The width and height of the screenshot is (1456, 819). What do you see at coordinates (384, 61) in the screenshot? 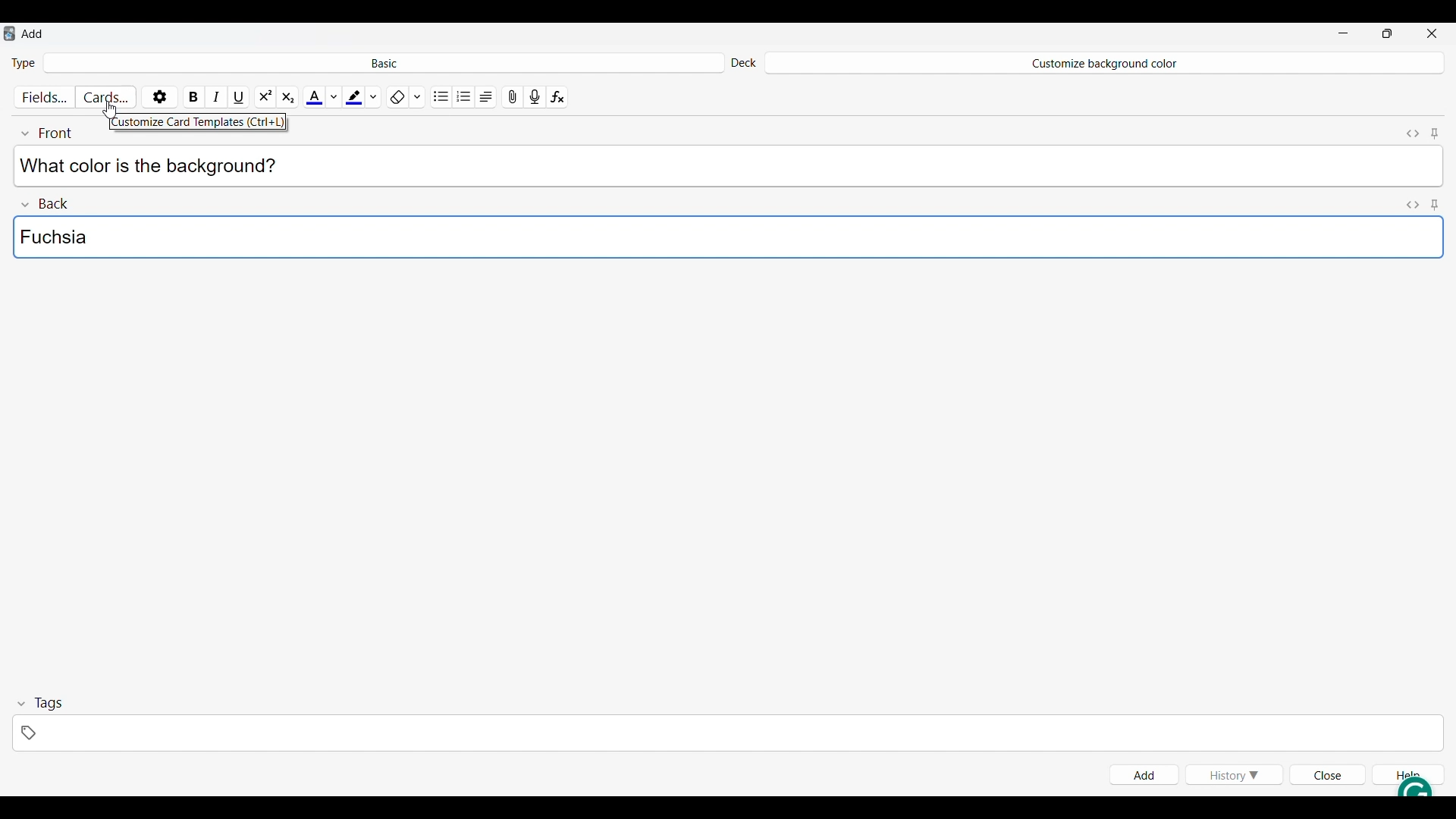
I see `Click to select card type in deck` at bounding box center [384, 61].